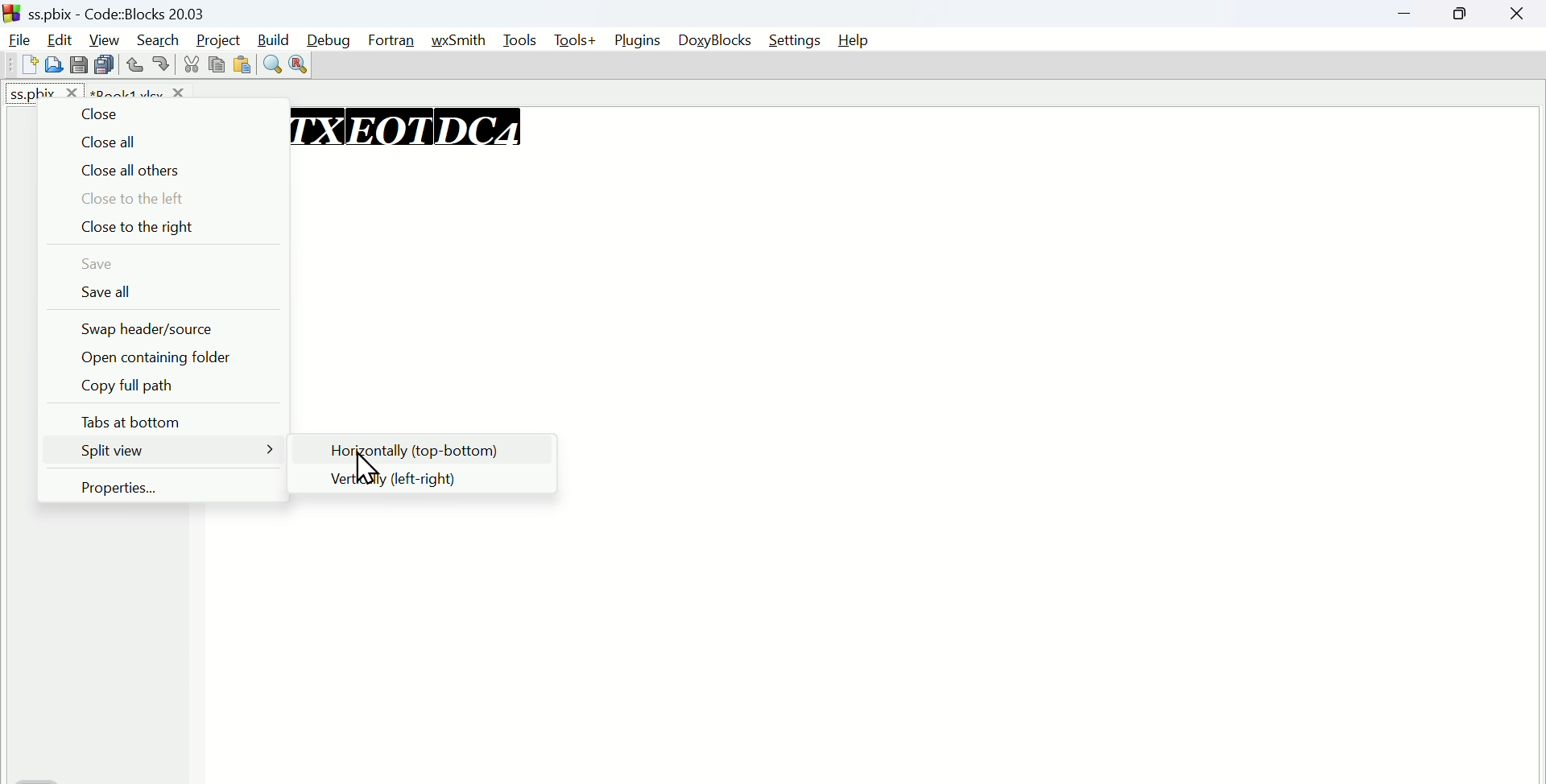  I want to click on Copy, so click(81, 64).